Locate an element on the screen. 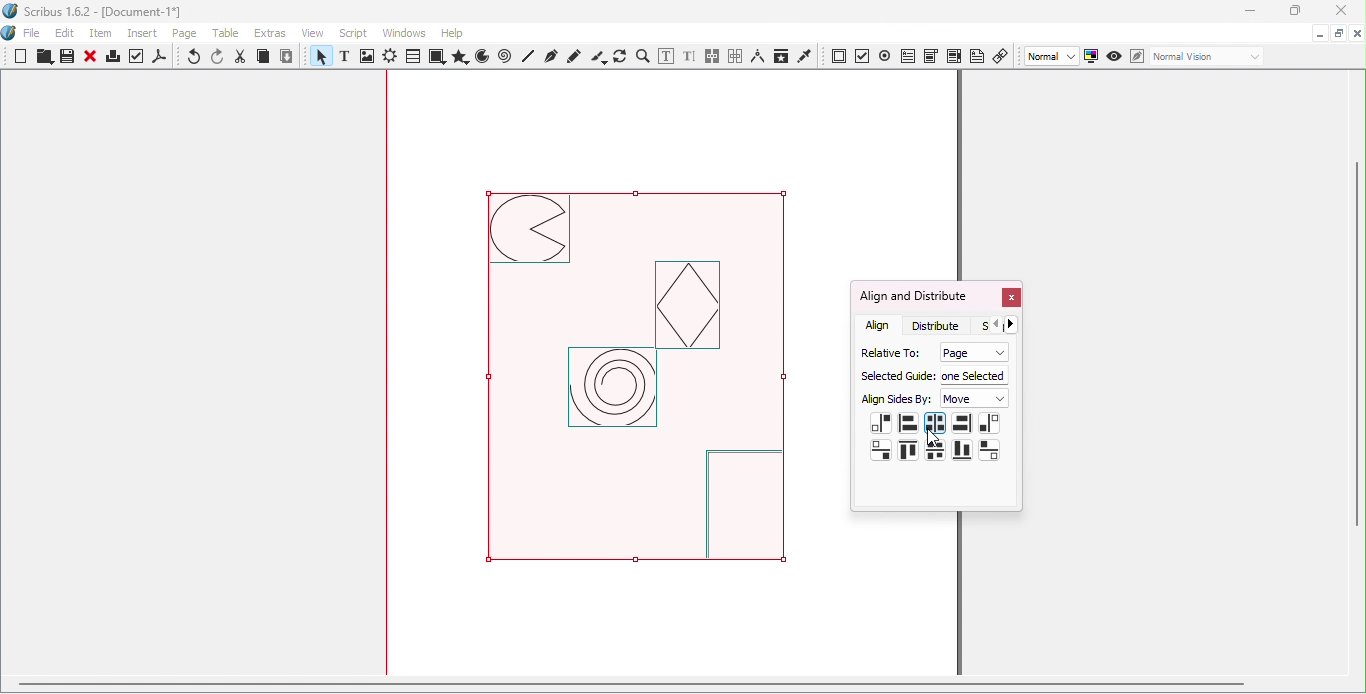 The width and height of the screenshot is (1366, 694). Table is located at coordinates (412, 57).